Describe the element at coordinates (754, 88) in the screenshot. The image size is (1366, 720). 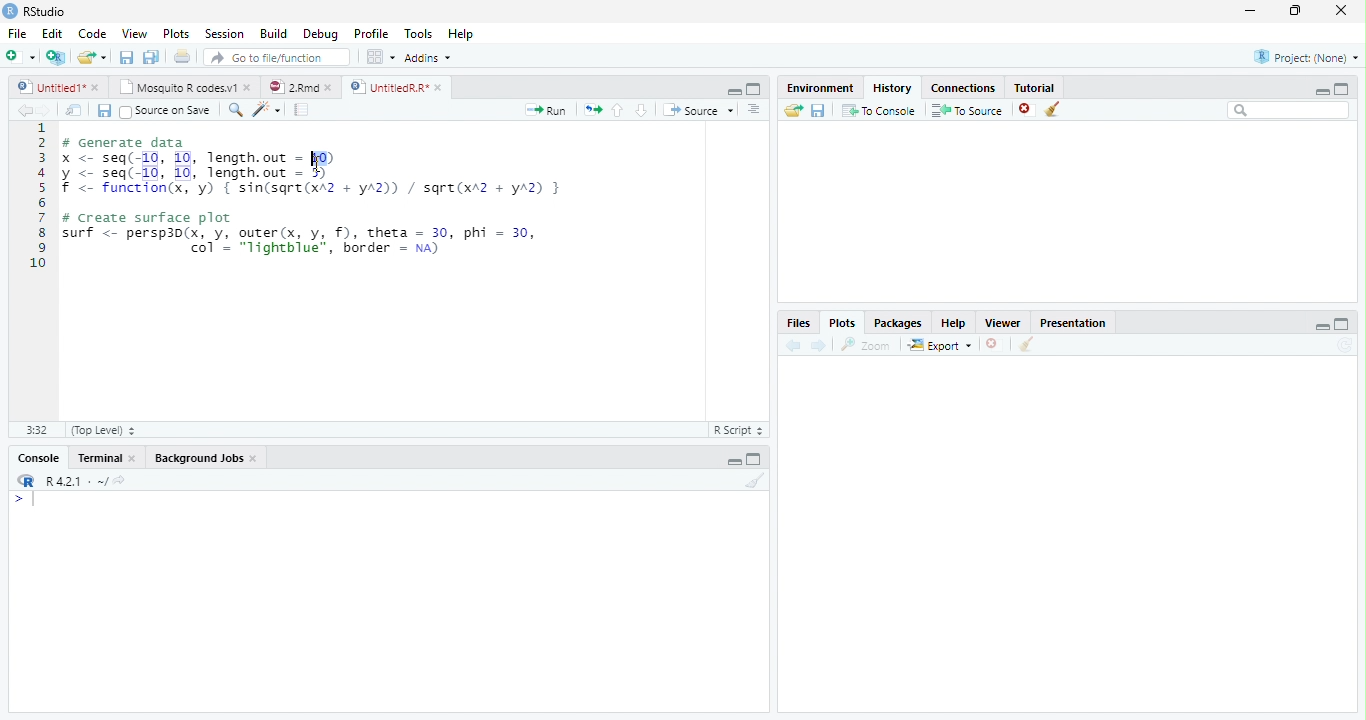
I see `Maximixe` at that location.